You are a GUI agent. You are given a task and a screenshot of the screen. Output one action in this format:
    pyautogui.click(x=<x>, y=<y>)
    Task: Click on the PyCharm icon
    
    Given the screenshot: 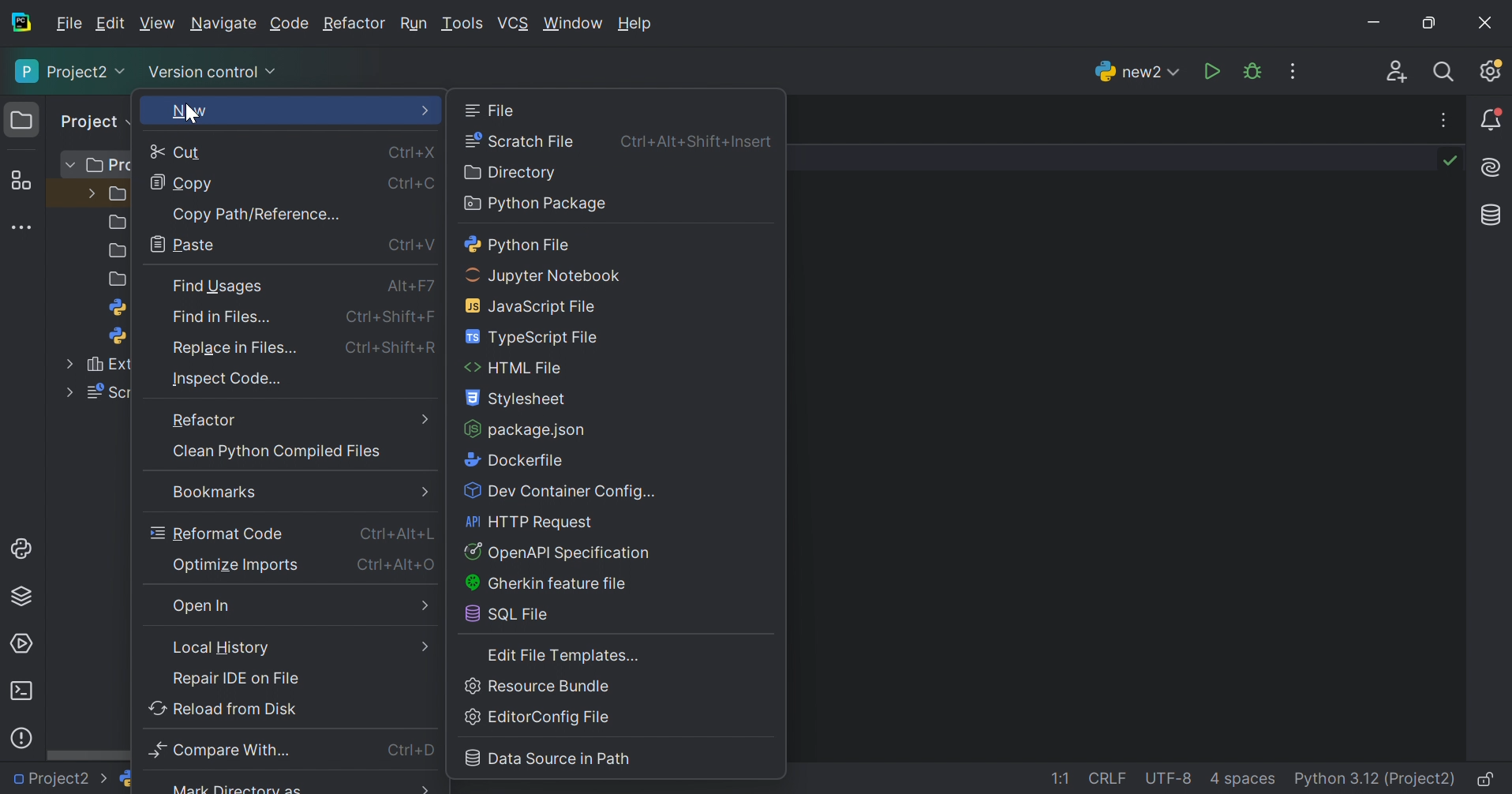 What is the action you would take?
    pyautogui.click(x=24, y=23)
    